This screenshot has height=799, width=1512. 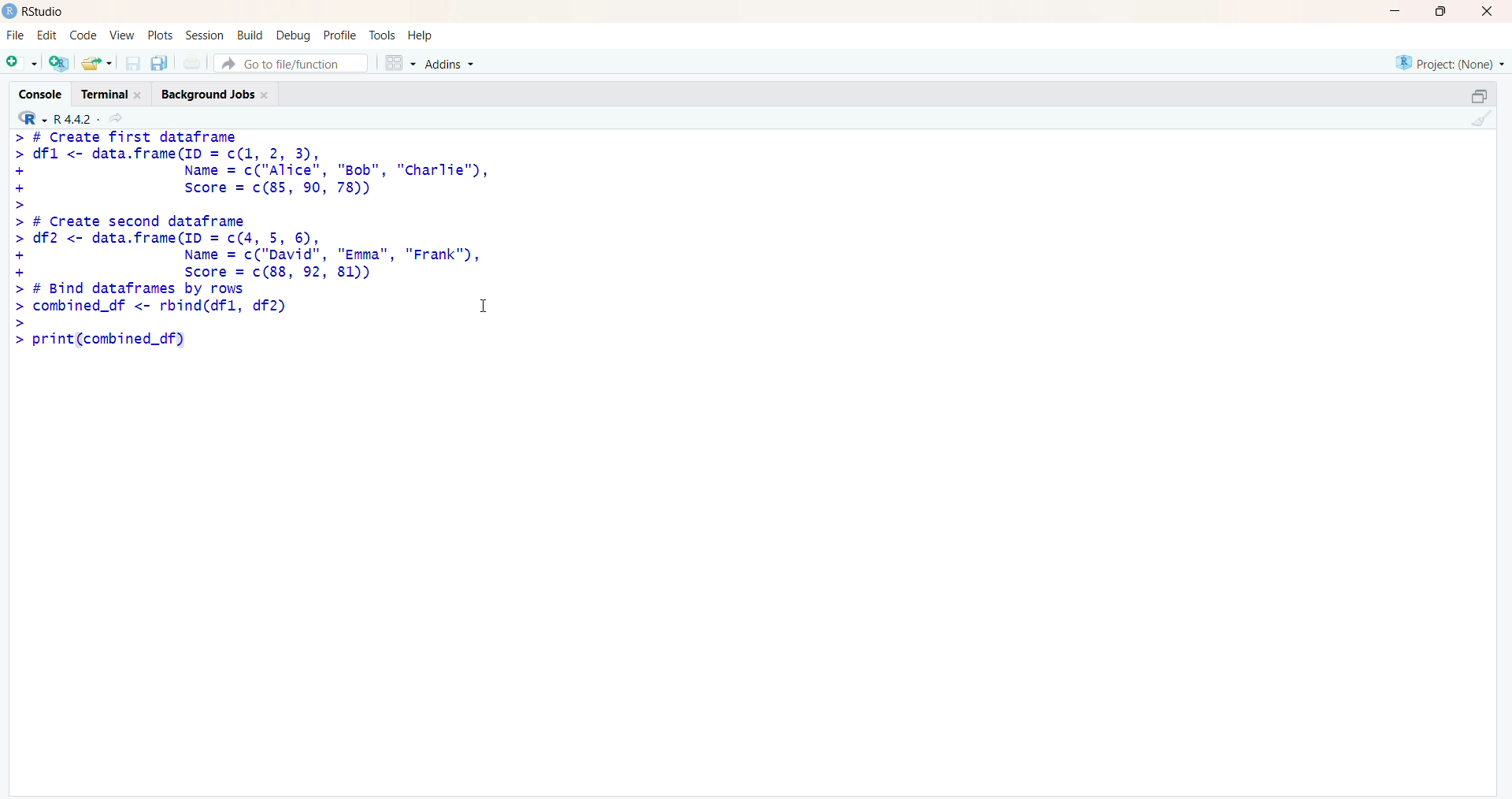 What do you see at coordinates (98, 63) in the screenshot?
I see `open exixting file` at bounding box center [98, 63].